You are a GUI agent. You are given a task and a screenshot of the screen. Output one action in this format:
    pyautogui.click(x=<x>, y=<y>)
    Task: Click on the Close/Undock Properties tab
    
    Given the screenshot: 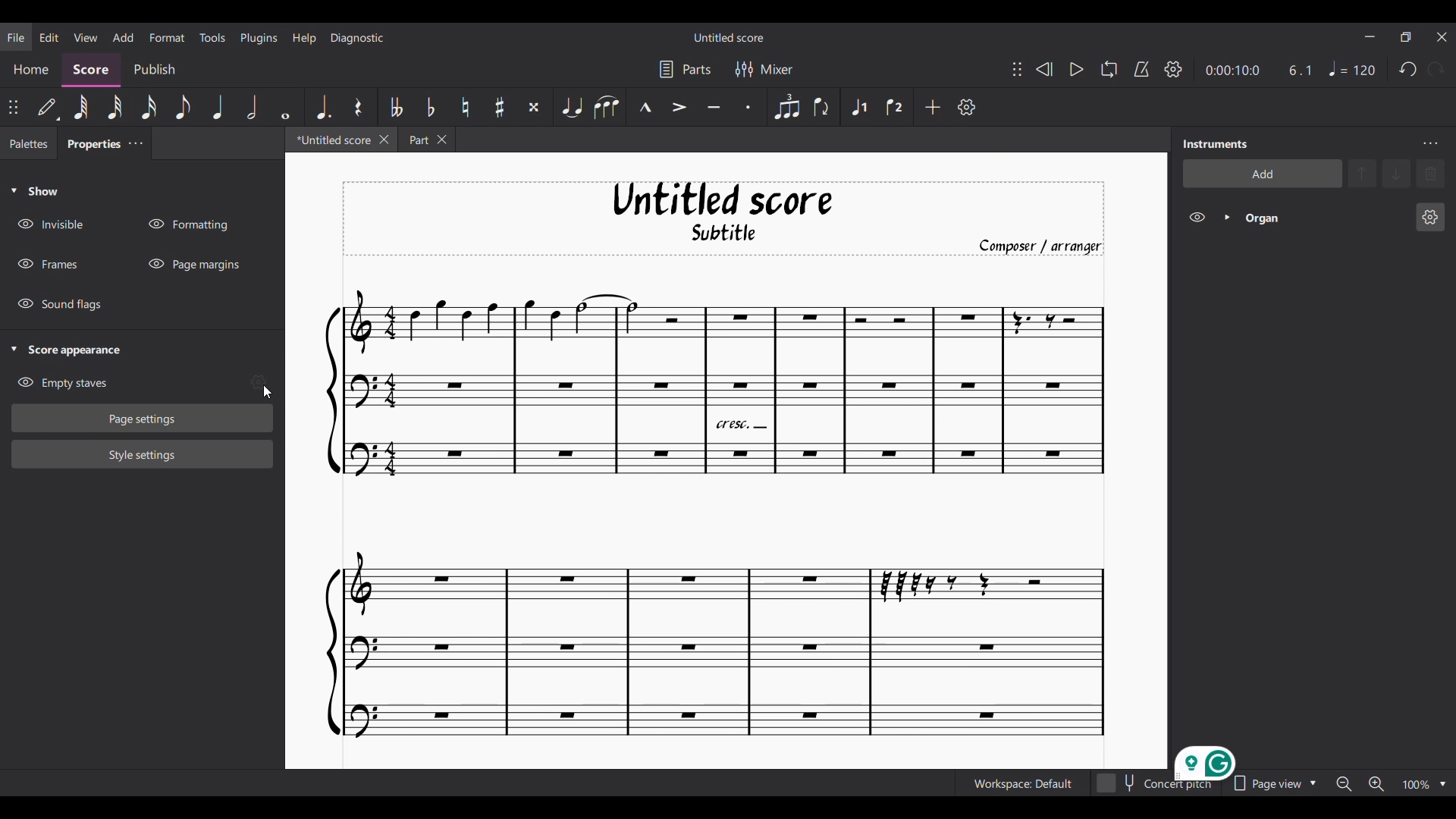 What is the action you would take?
    pyautogui.click(x=135, y=143)
    